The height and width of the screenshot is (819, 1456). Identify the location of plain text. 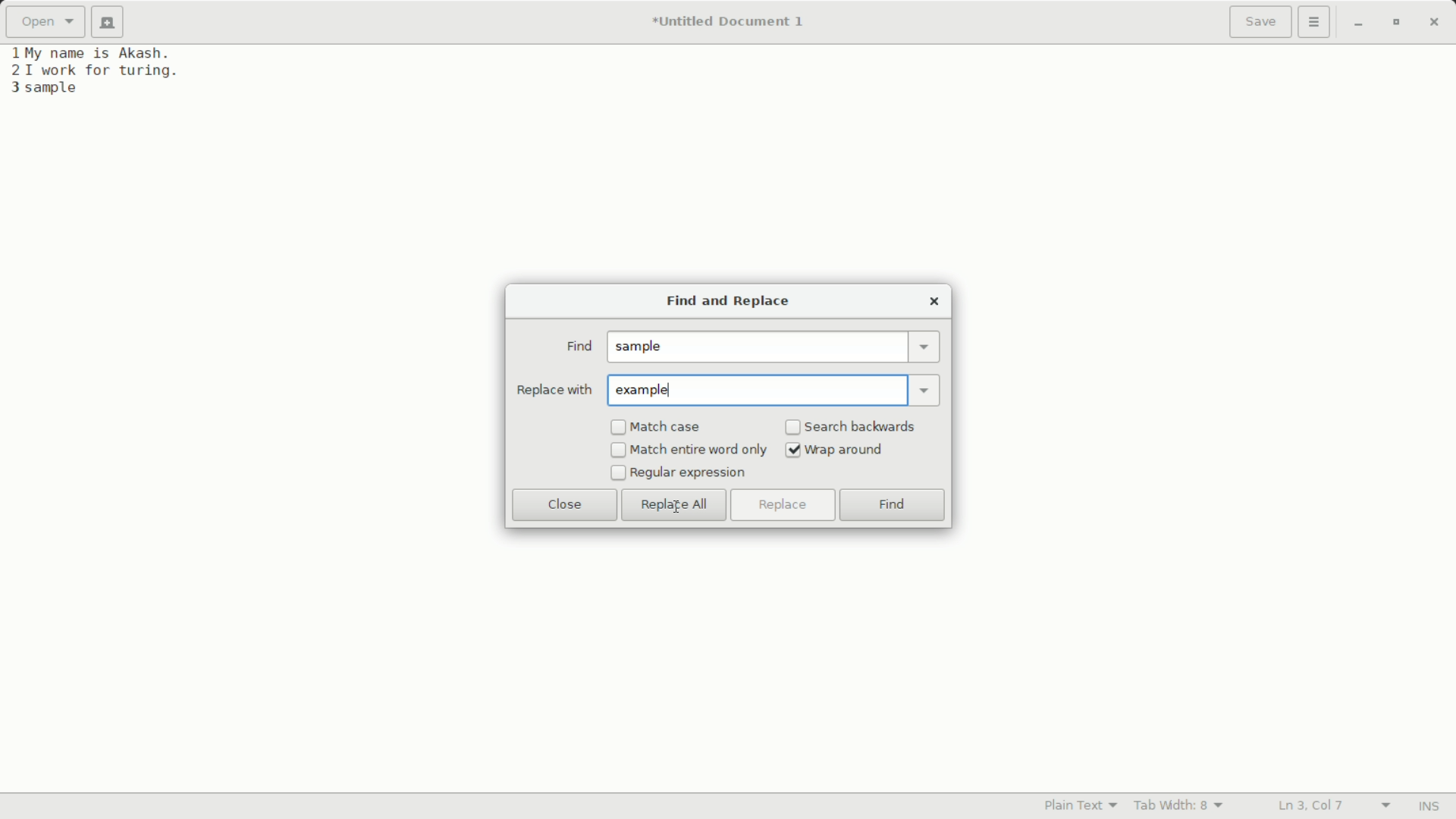
(1084, 805).